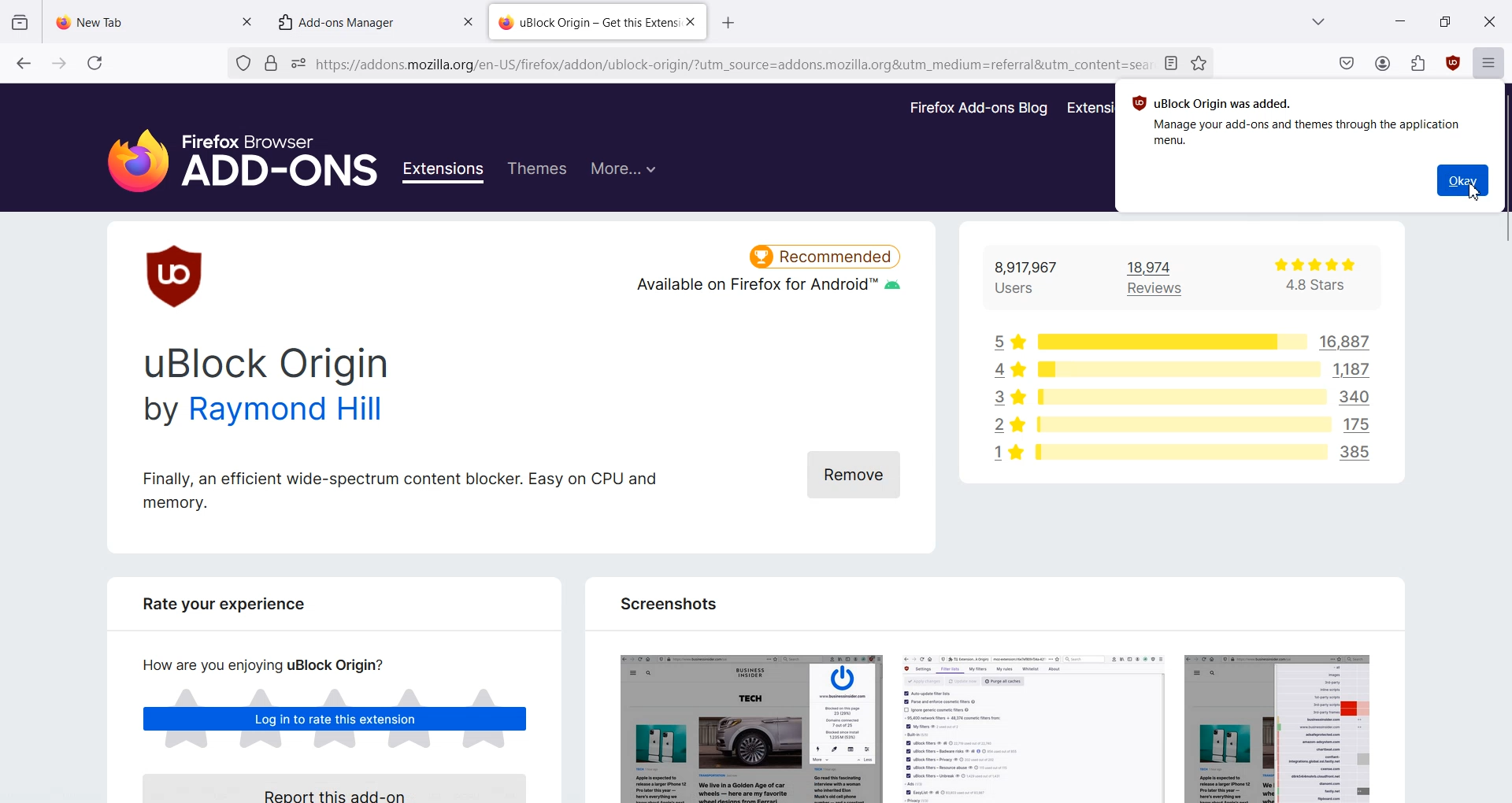  Describe the element at coordinates (228, 152) in the screenshot. I see `Firefox Browser Add-Ons` at that location.